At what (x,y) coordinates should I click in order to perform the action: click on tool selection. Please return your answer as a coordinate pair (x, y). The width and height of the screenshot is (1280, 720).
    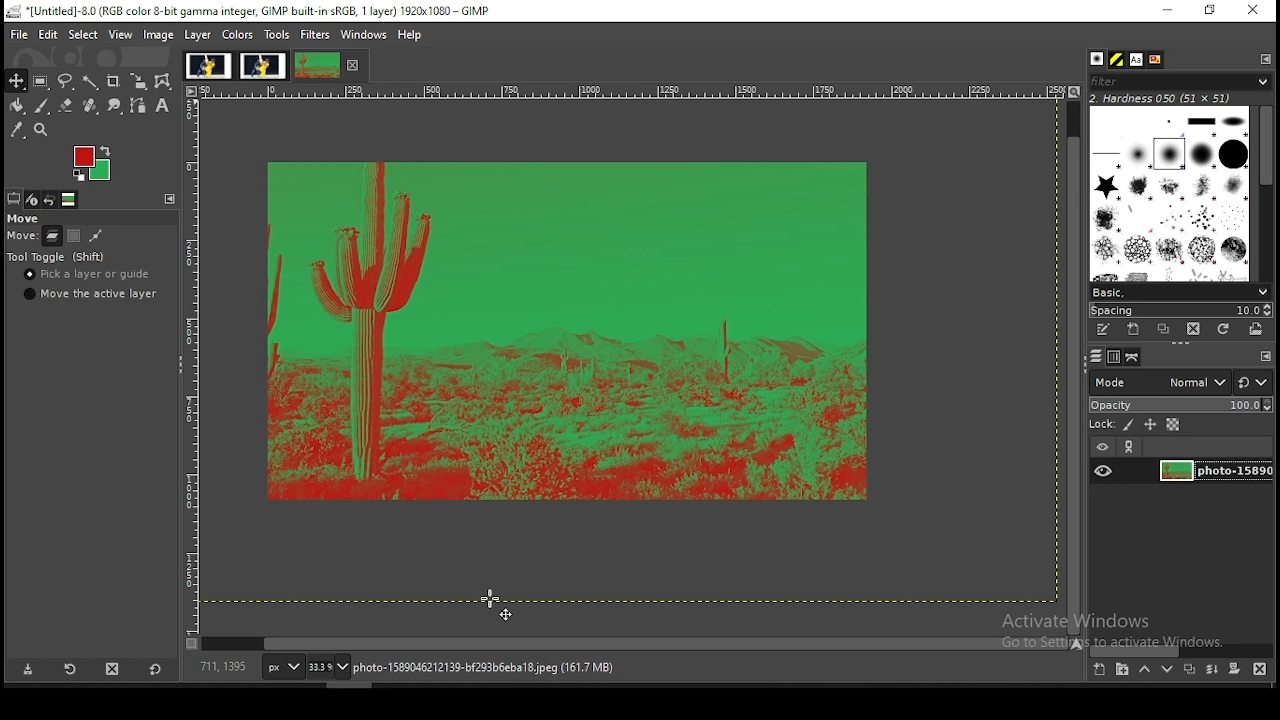
    Looking at the image, I should click on (14, 198).